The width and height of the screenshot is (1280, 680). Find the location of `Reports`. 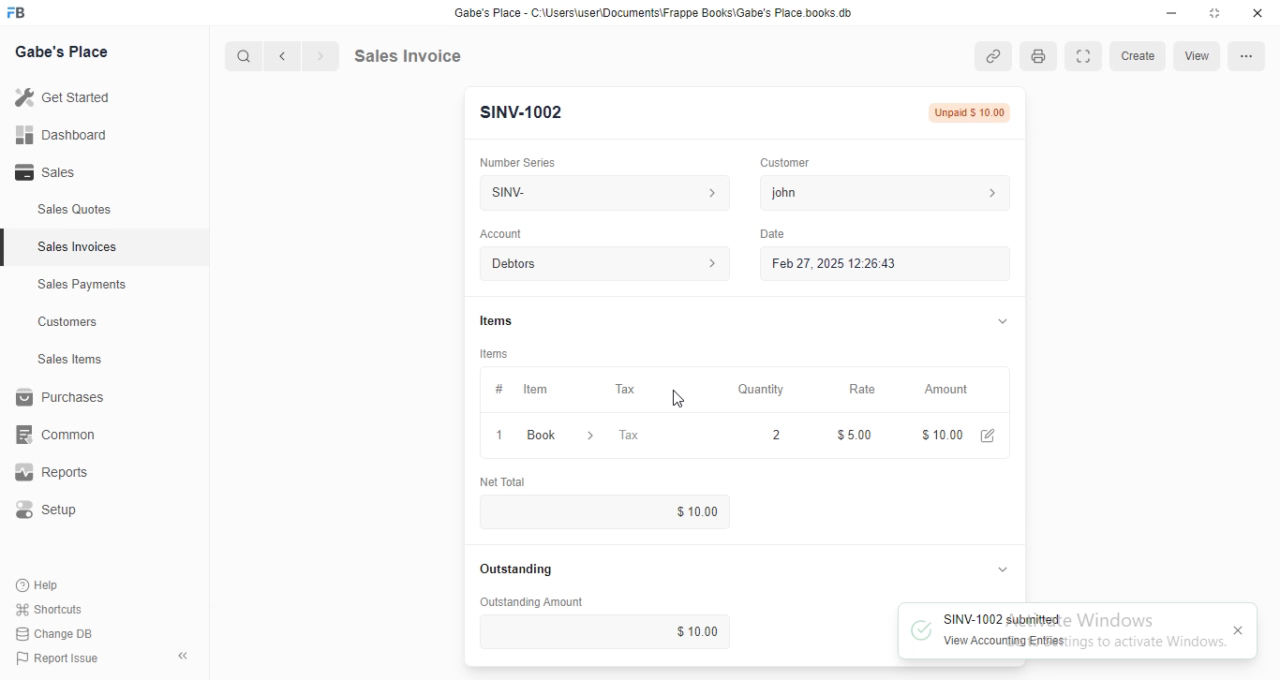

Reports is located at coordinates (49, 473).